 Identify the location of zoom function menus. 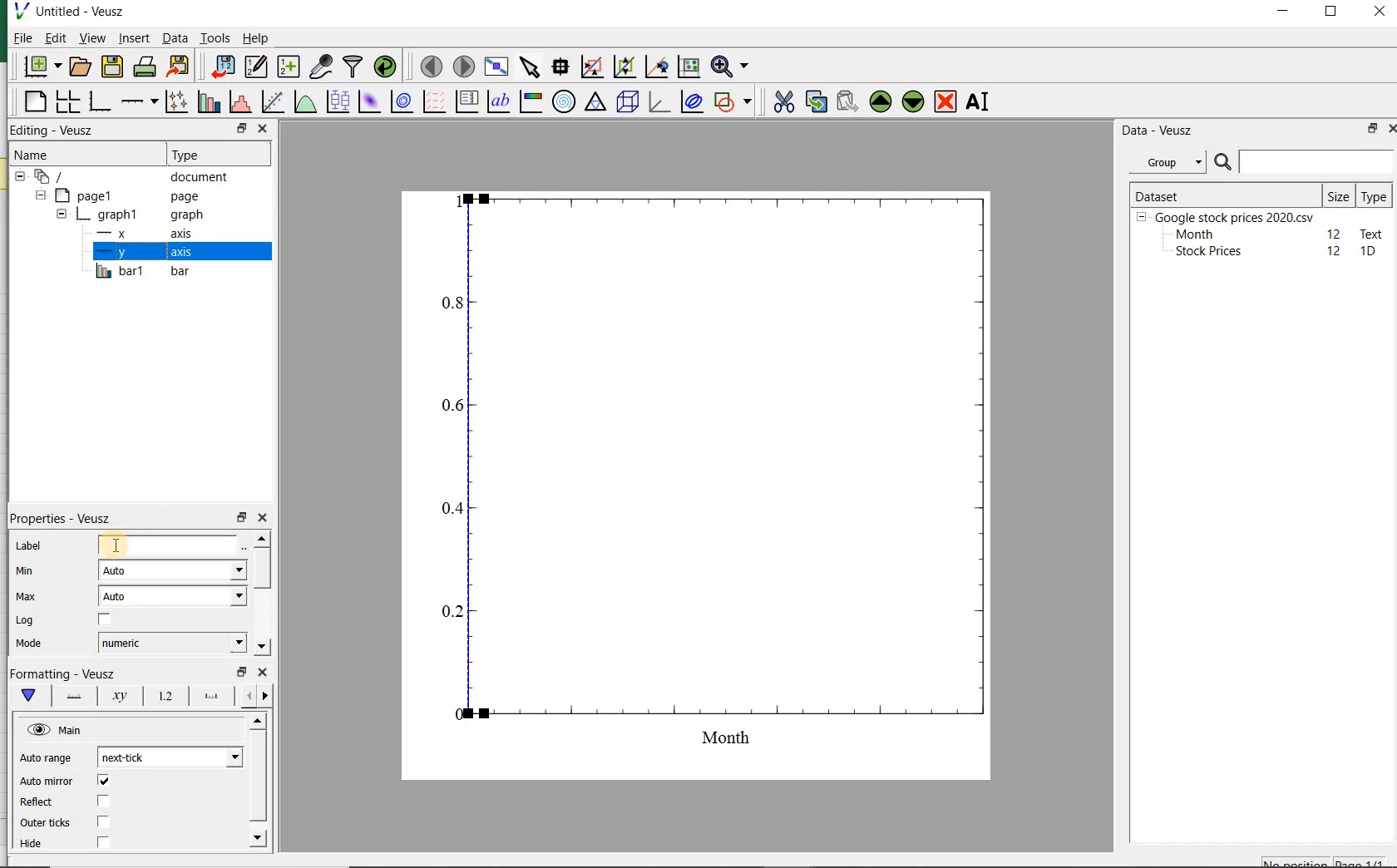
(733, 67).